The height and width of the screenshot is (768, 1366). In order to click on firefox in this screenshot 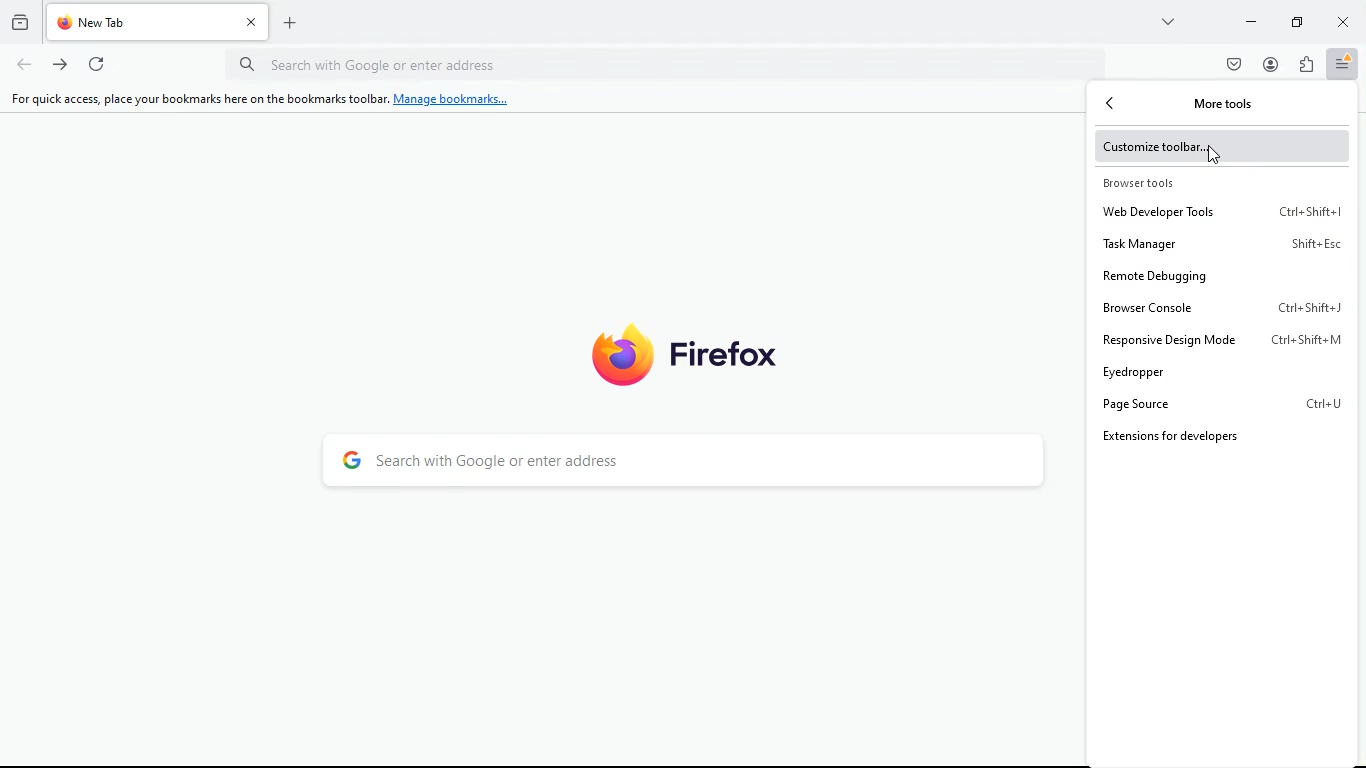, I will do `click(710, 350)`.